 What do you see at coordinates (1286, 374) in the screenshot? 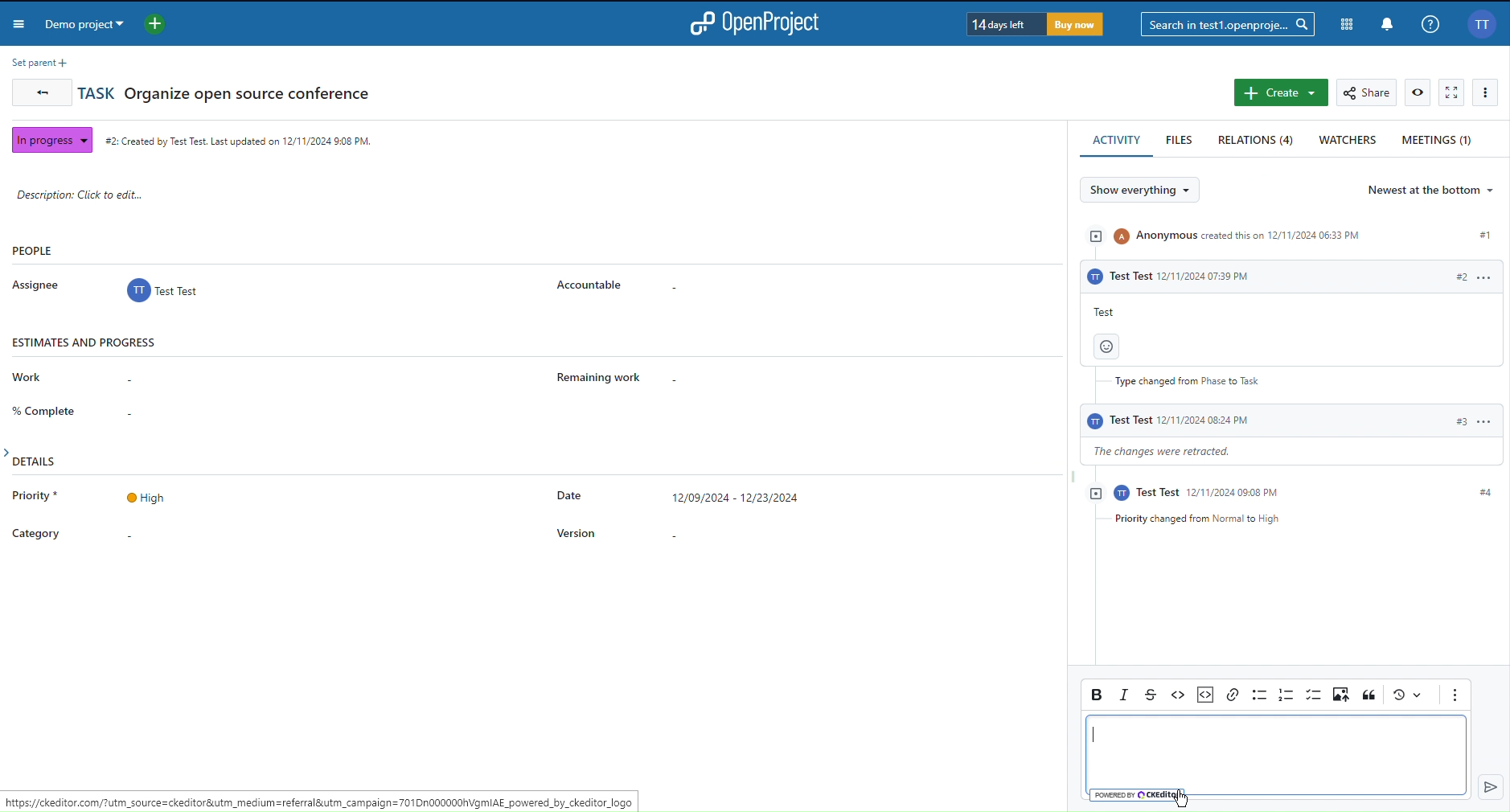
I see `Activity ` at bounding box center [1286, 374].